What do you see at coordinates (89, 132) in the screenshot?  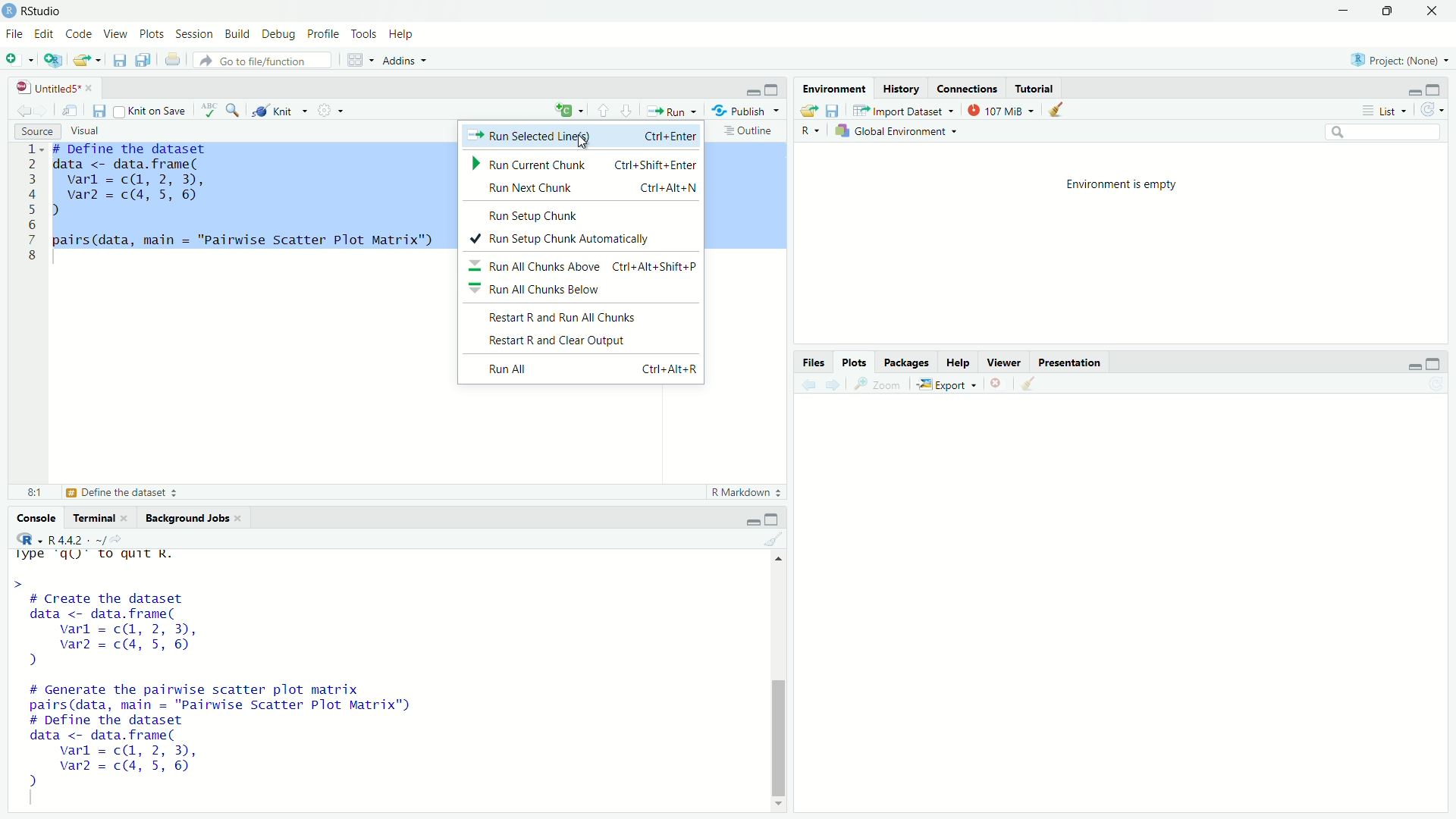 I see `Visual` at bounding box center [89, 132].